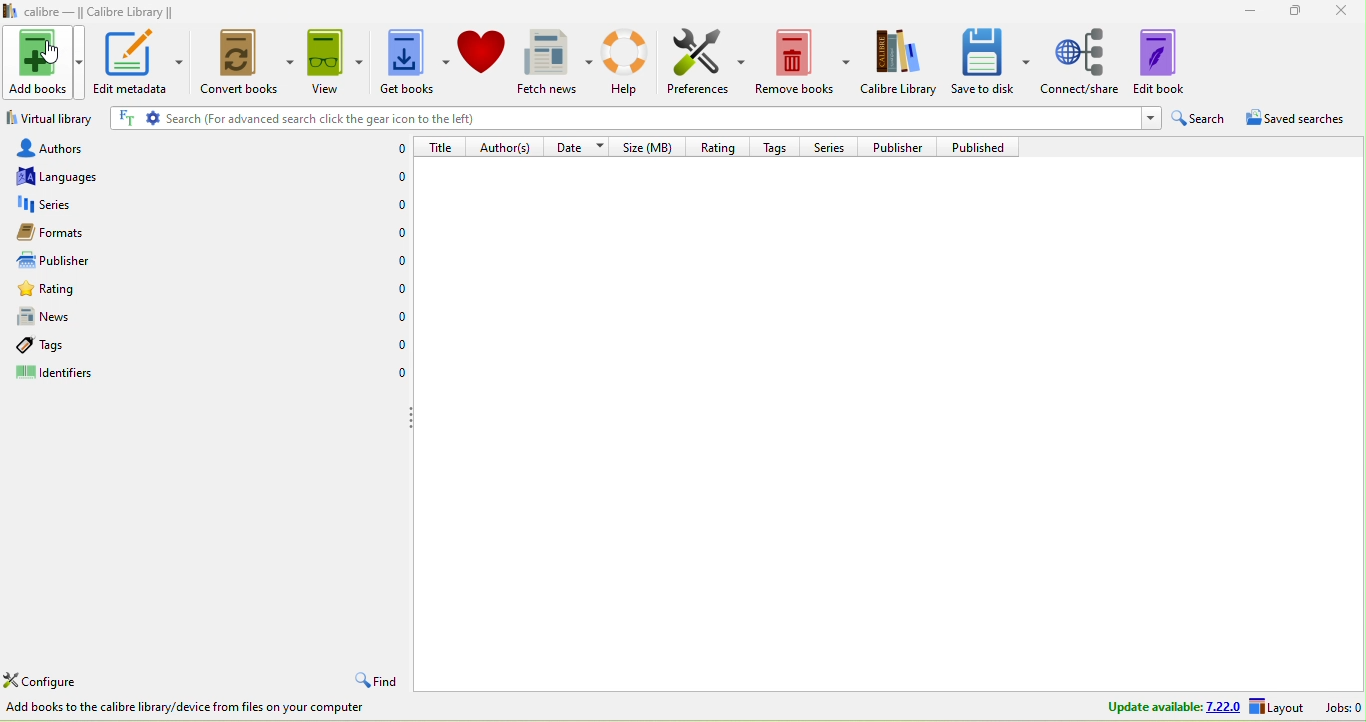 The width and height of the screenshot is (1366, 722). Describe the element at coordinates (91, 235) in the screenshot. I see `formats` at that location.